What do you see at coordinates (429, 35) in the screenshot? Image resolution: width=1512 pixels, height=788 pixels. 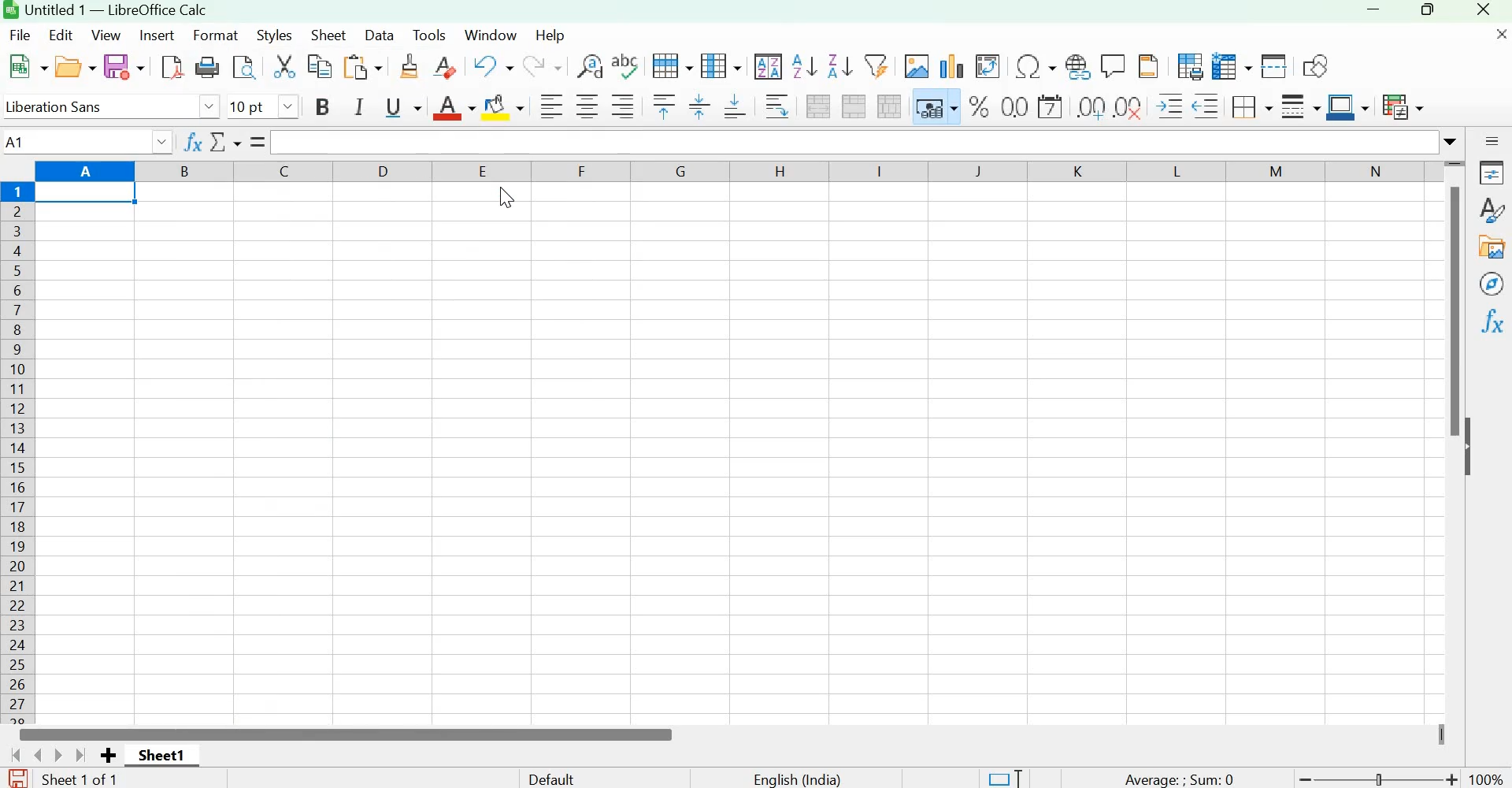 I see `Tools` at bounding box center [429, 35].